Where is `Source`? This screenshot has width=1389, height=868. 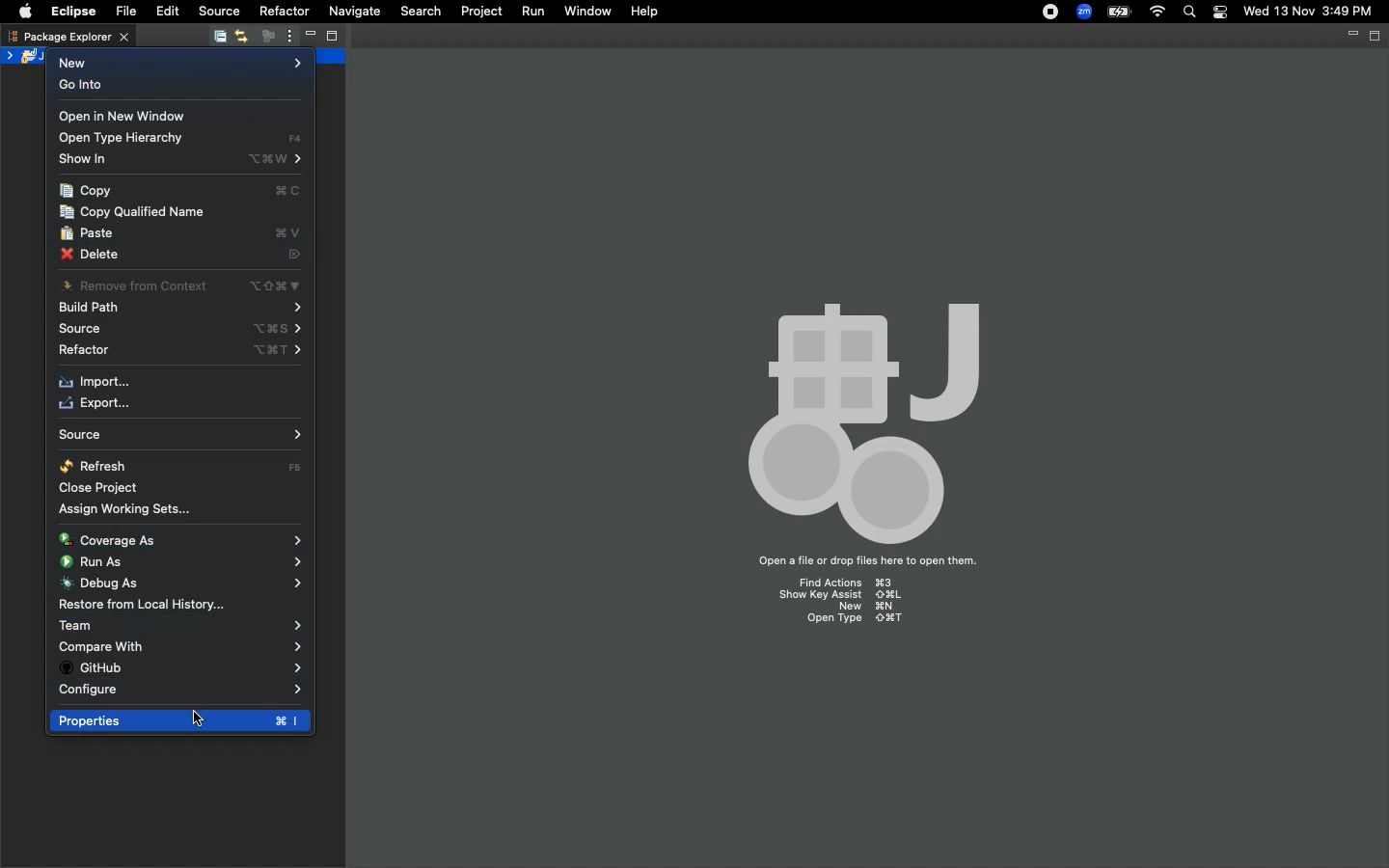 Source is located at coordinates (180, 435).